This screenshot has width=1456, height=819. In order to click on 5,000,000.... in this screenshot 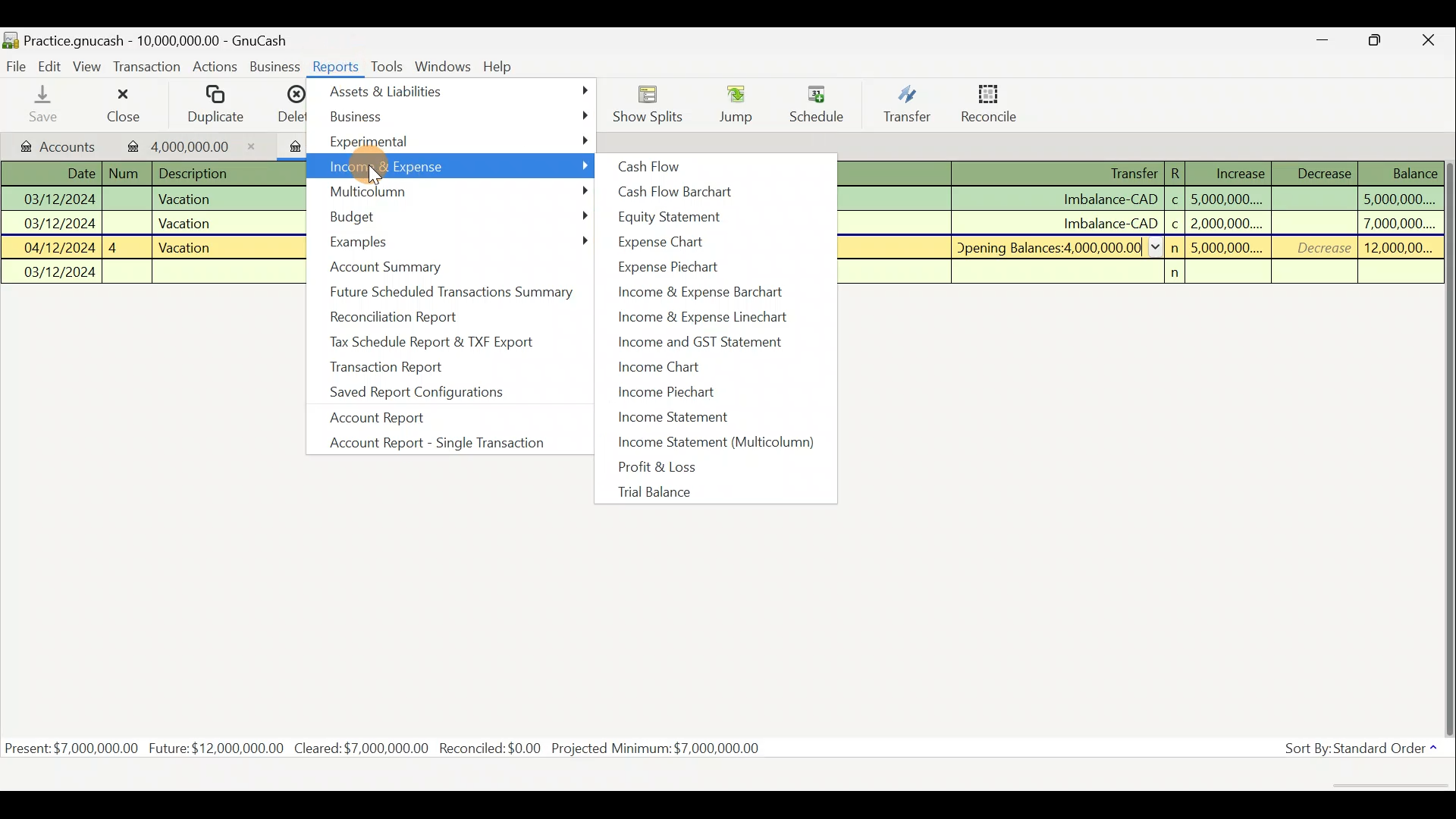, I will do `click(1228, 247)`.